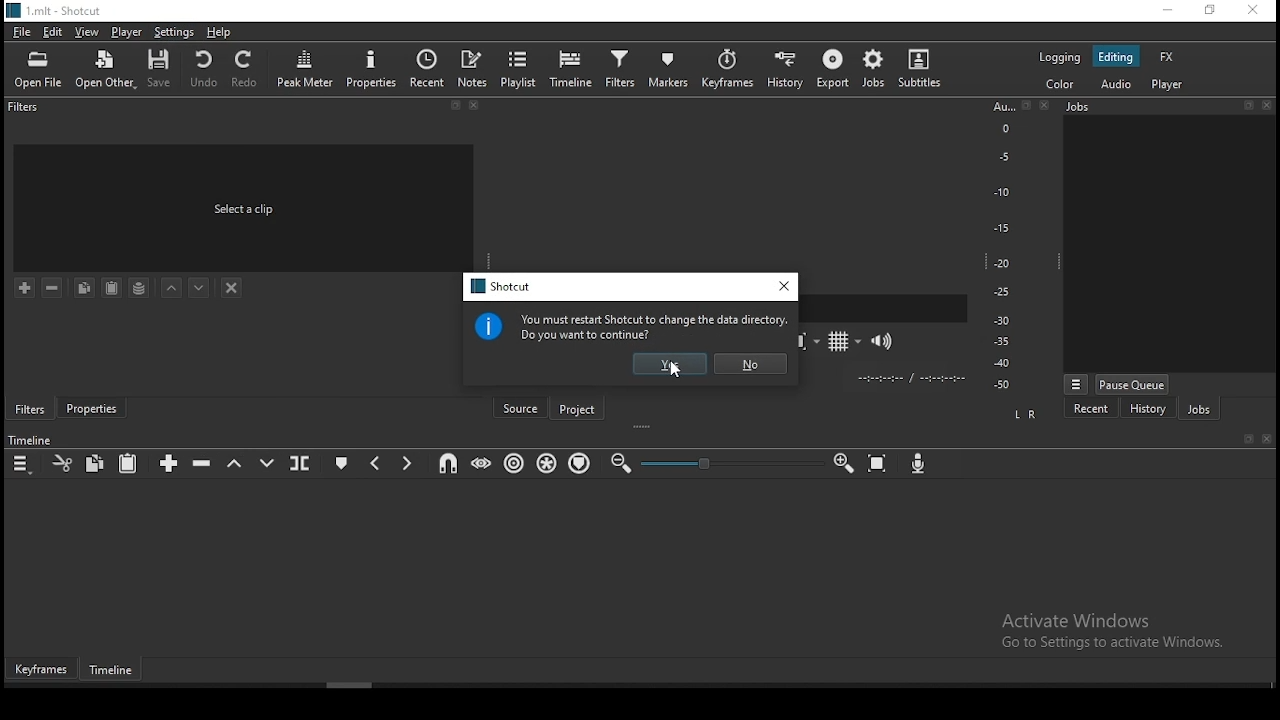 The image size is (1280, 720). I want to click on You must restart Shotcut to change the data directory.
BO you want to continue?, so click(655, 327).